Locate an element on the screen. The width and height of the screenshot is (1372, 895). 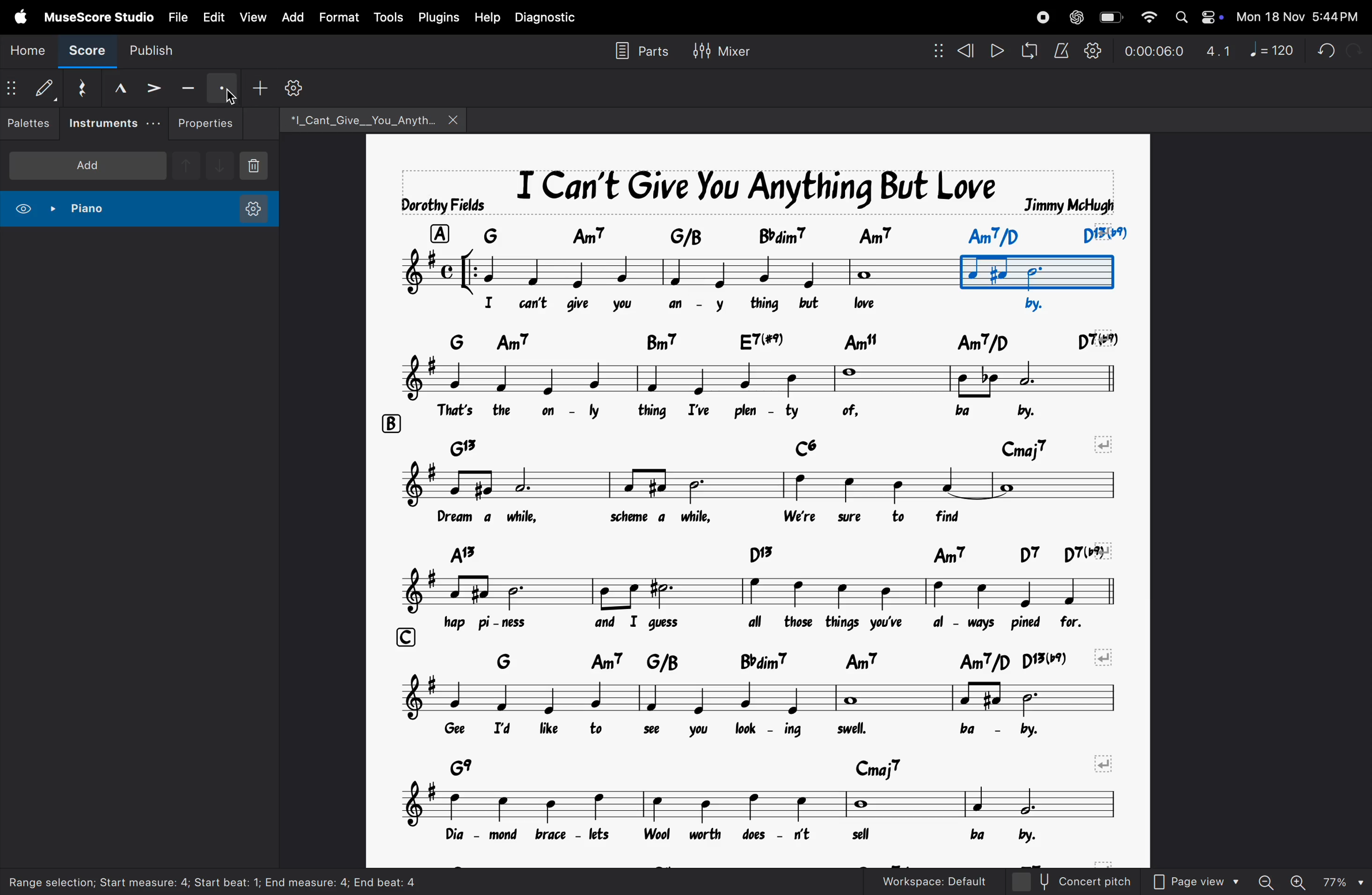
lyrics is located at coordinates (771, 731).